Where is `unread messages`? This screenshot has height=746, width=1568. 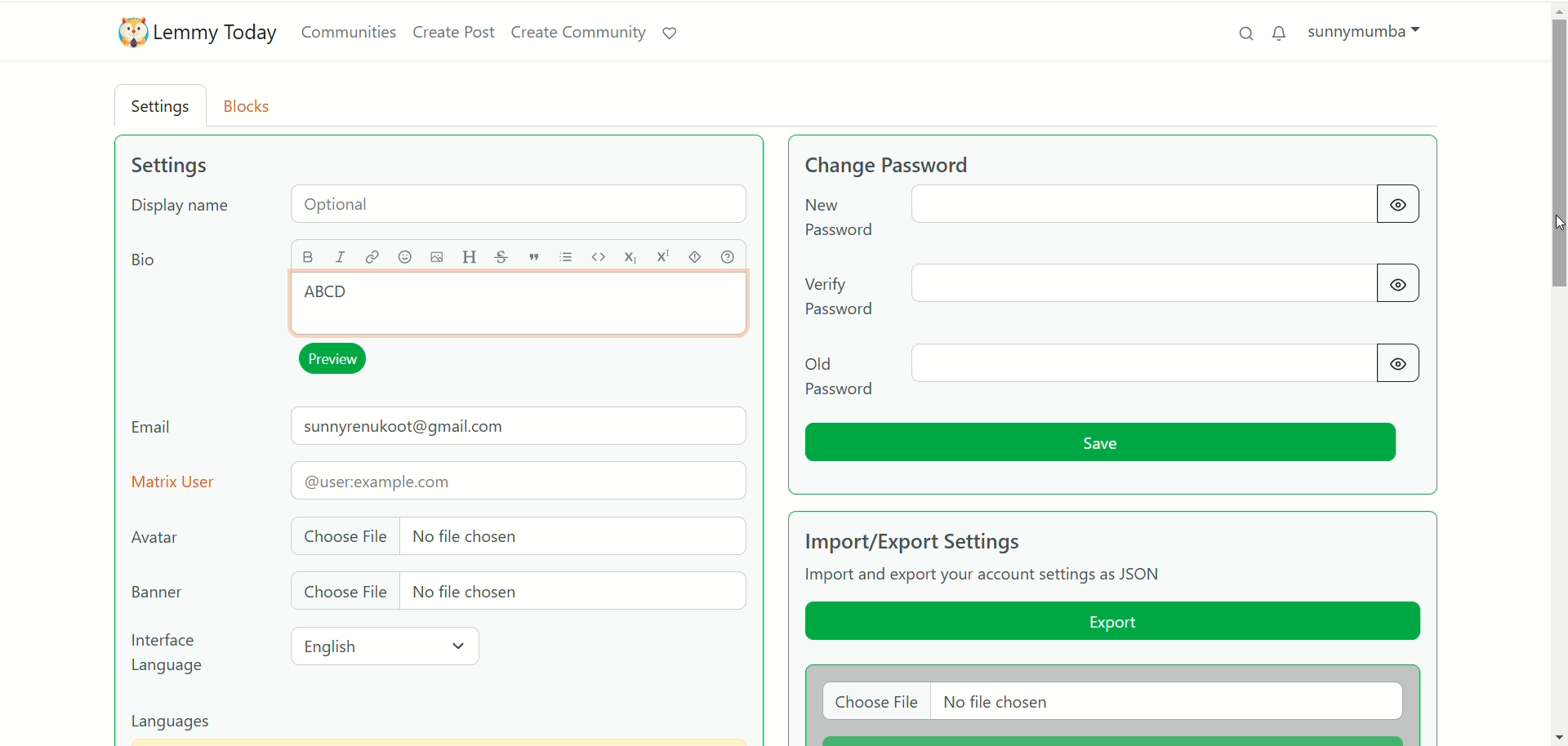
unread messages is located at coordinates (1280, 33).